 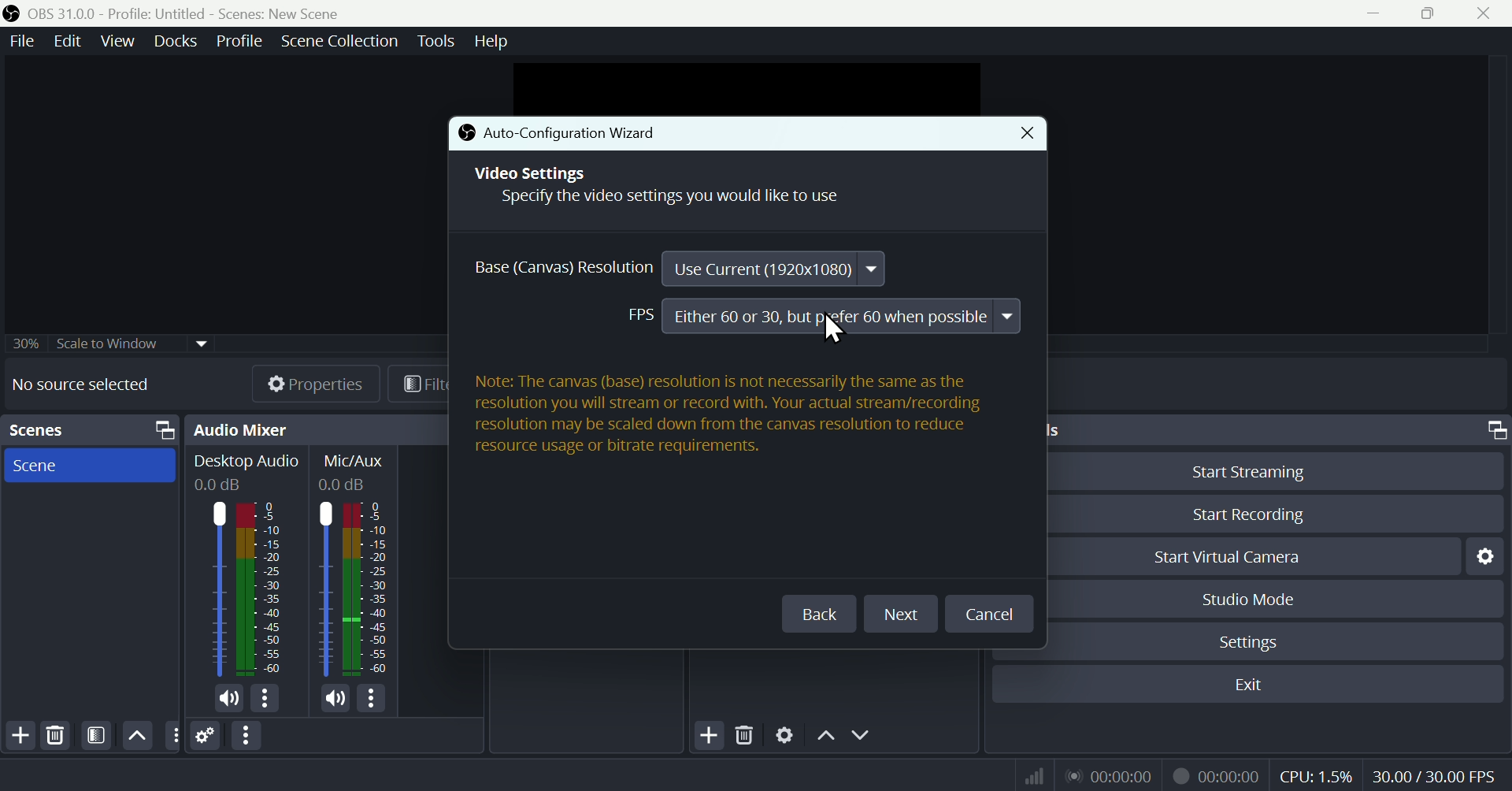 I want to click on Scene, so click(x=89, y=465).